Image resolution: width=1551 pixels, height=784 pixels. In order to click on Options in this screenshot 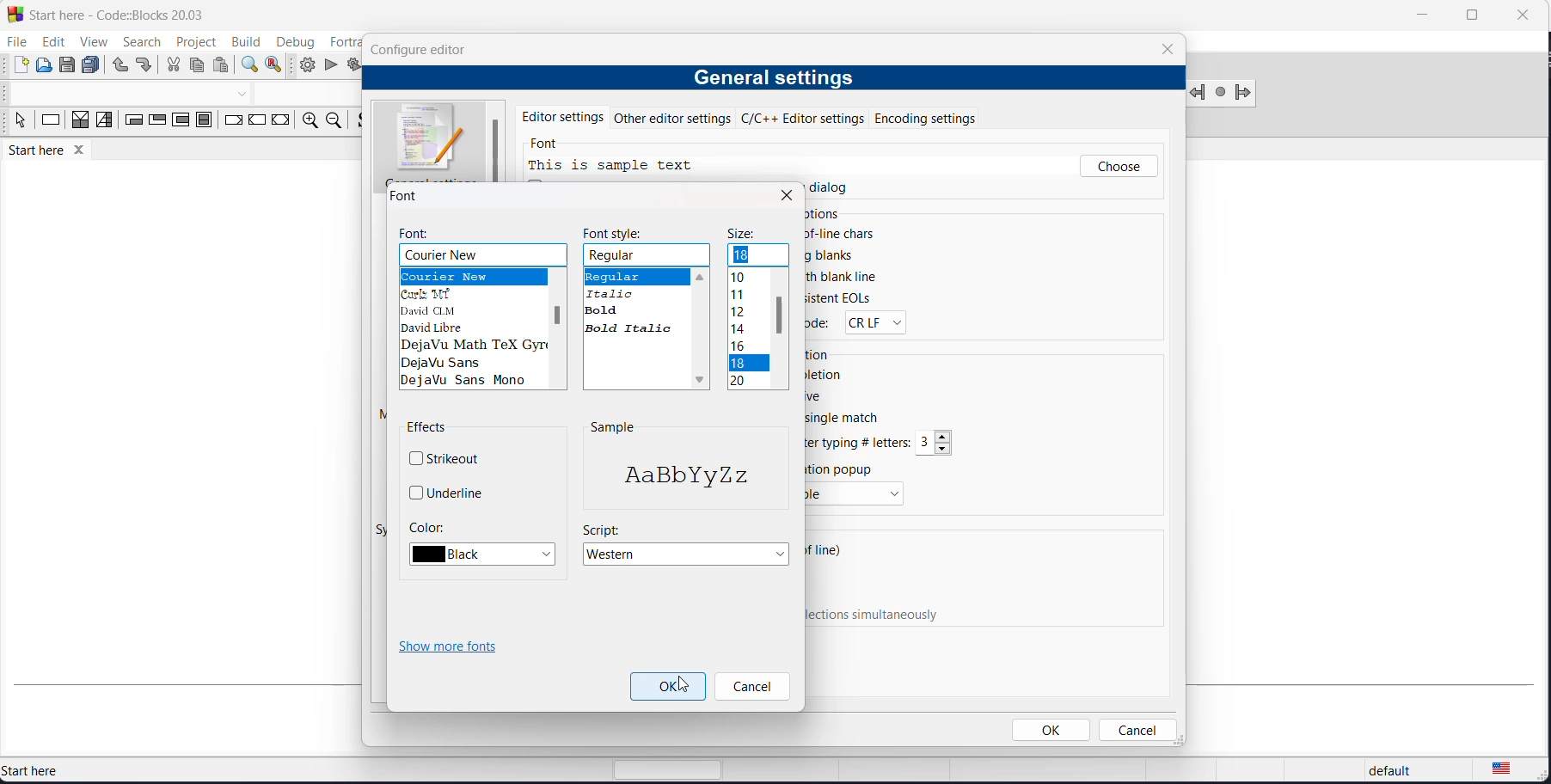, I will do `click(825, 215)`.